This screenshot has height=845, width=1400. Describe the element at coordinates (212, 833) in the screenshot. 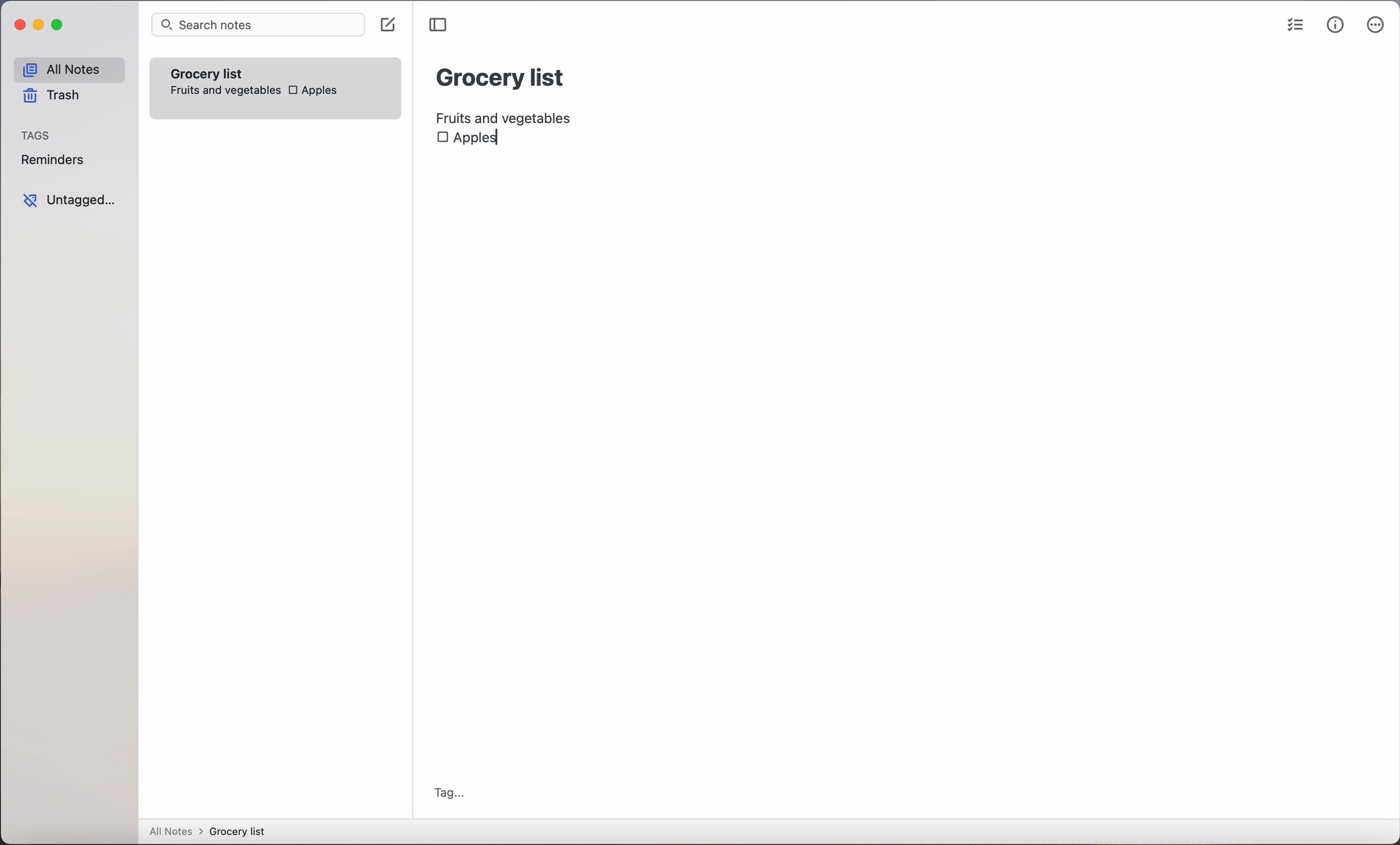

I see `all notes > grocery list` at that location.